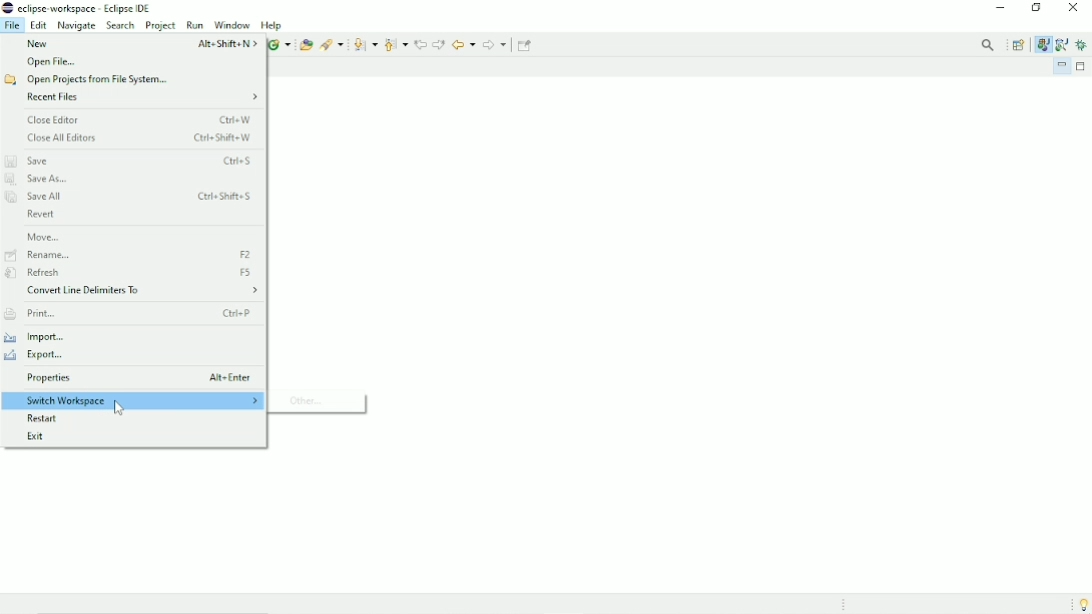 This screenshot has height=614, width=1092. I want to click on Next annotation, so click(365, 45).